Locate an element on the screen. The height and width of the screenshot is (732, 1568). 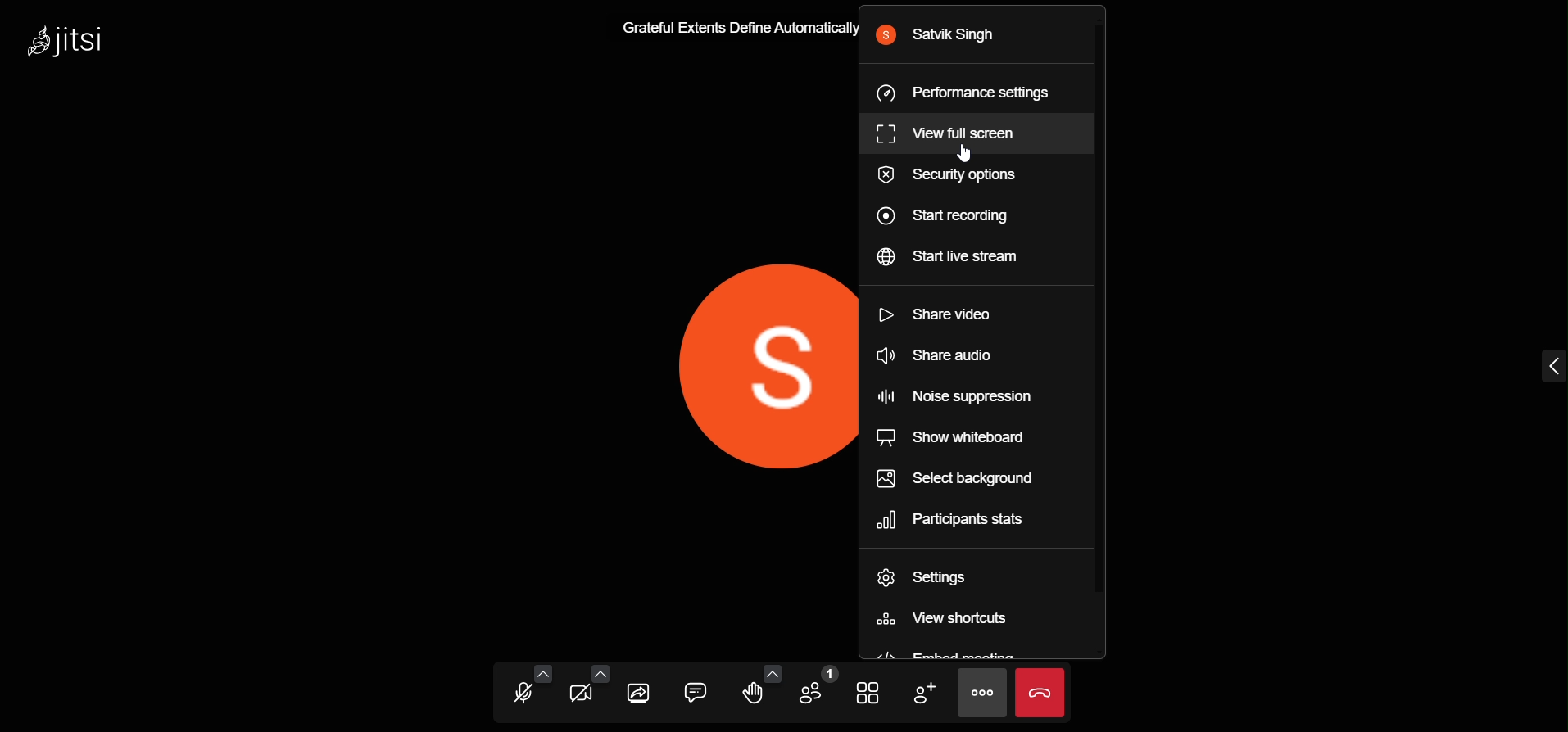
start recording is located at coordinates (948, 217).